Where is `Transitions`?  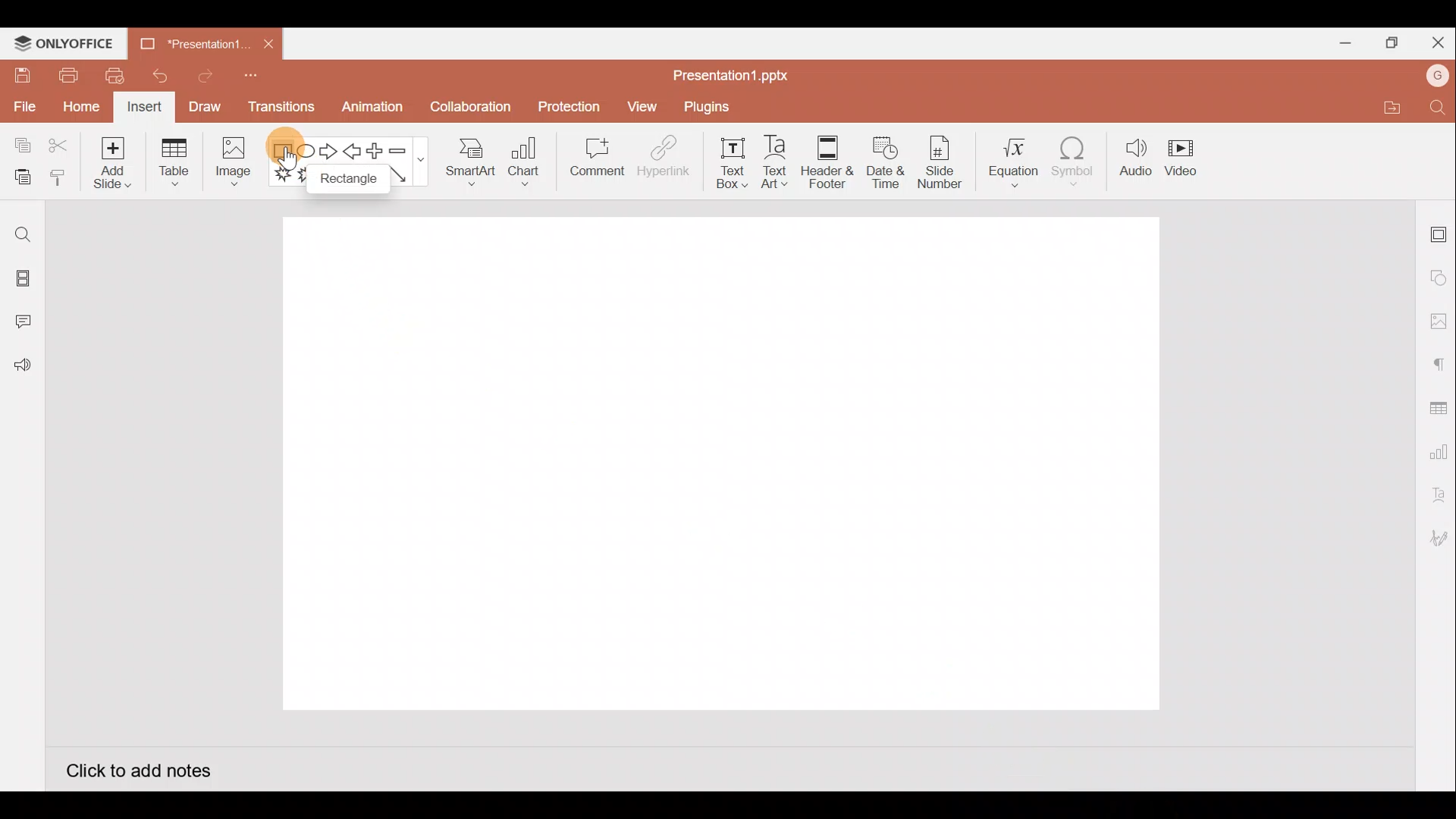 Transitions is located at coordinates (282, 111).